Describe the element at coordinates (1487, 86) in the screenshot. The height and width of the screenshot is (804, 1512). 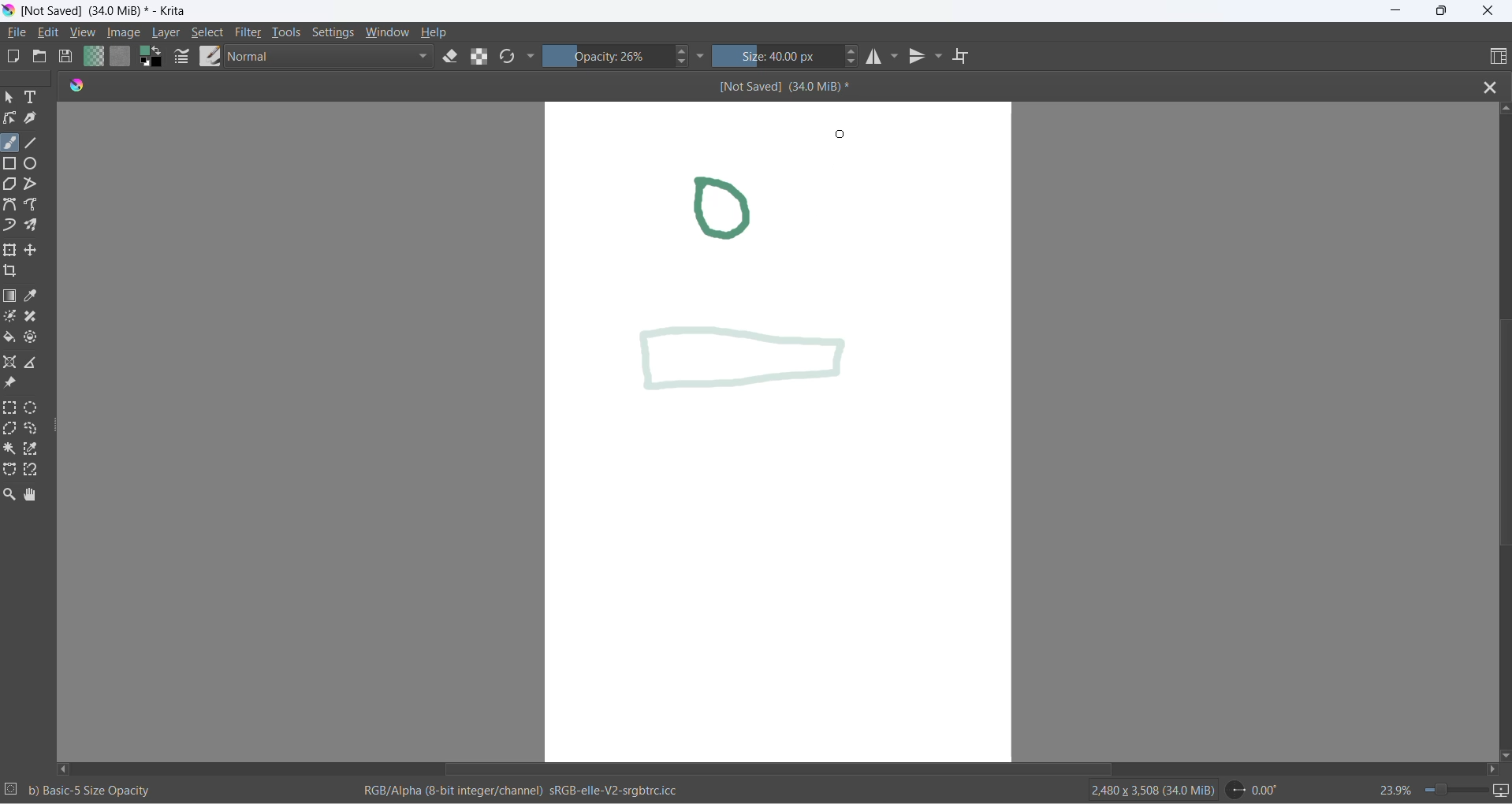
I see `close file` at that location.